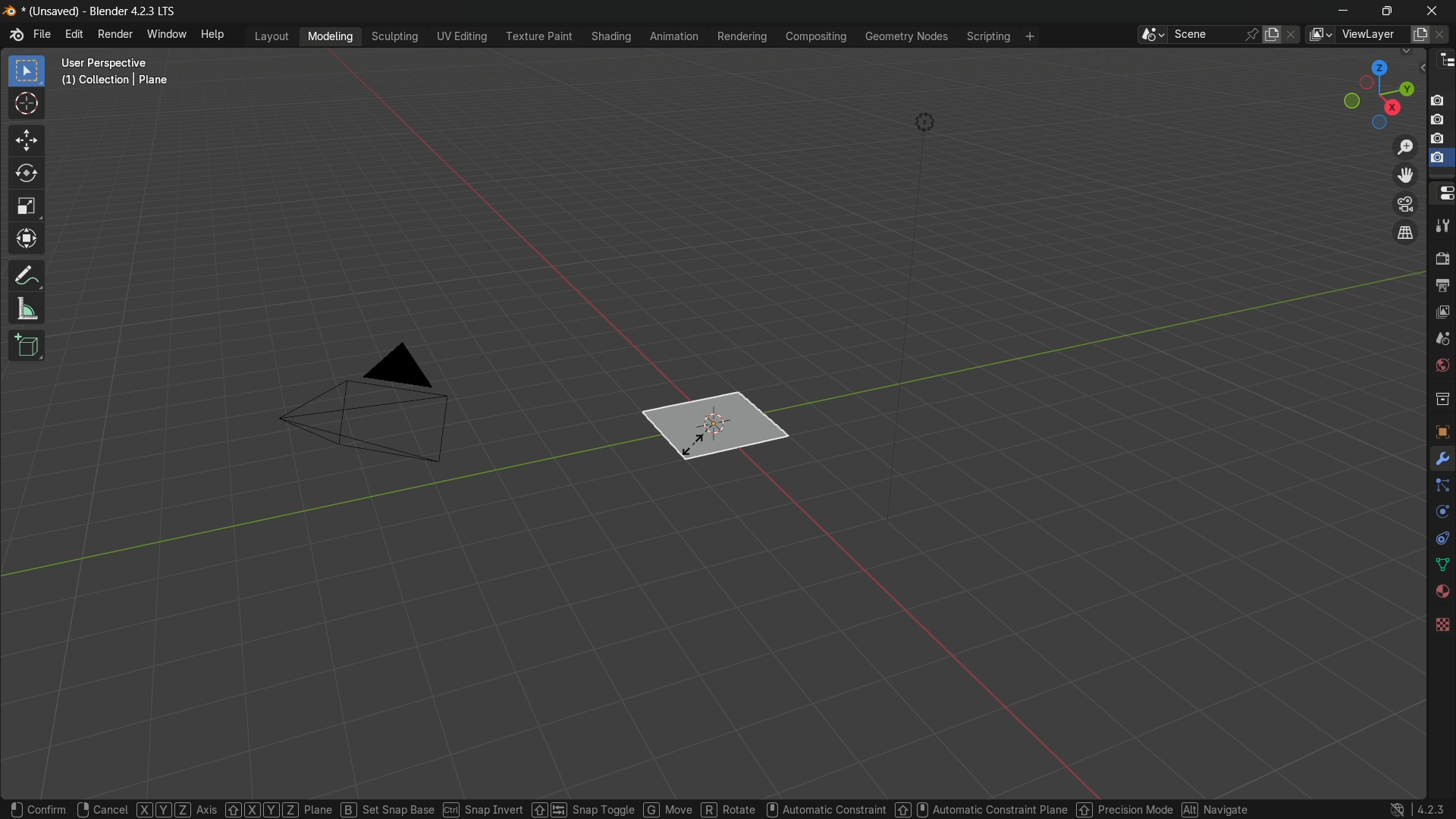  What do you see at coordinates (27, 71) in the screenshot?
I see `select box` at bounding box center [27, 71].